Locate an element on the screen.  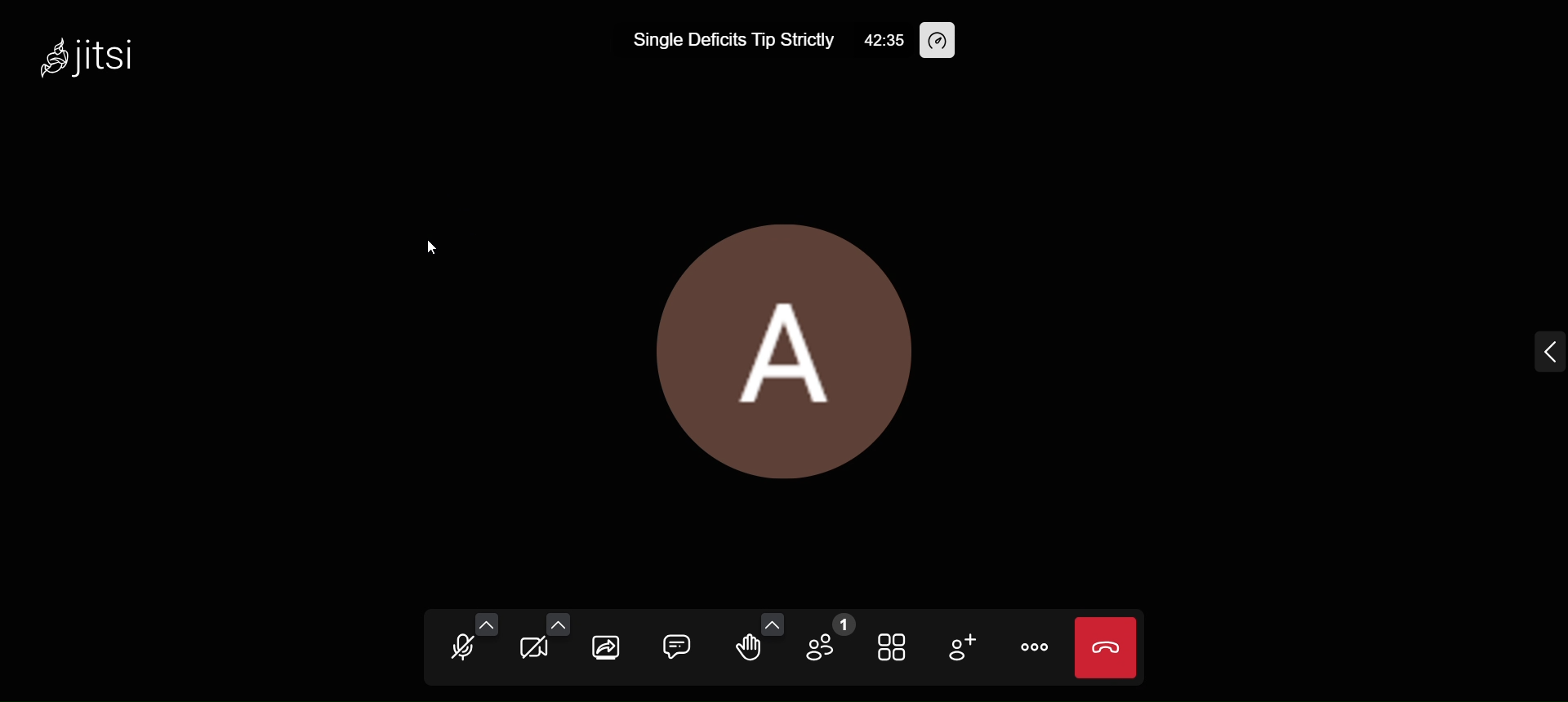
more actions is located at coordinates (1034, 648).